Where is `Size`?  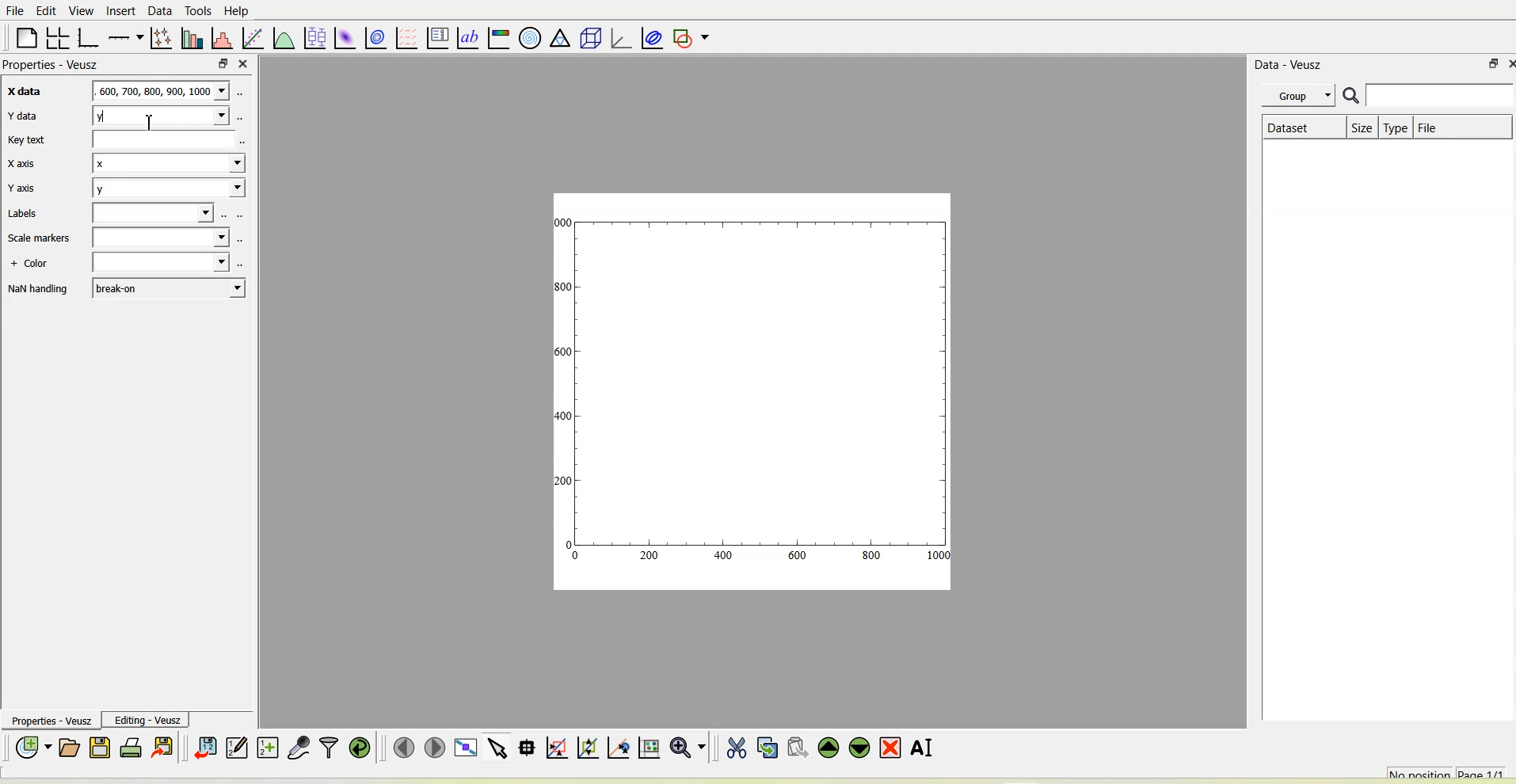 Size is located at coordinates (1362, 127).